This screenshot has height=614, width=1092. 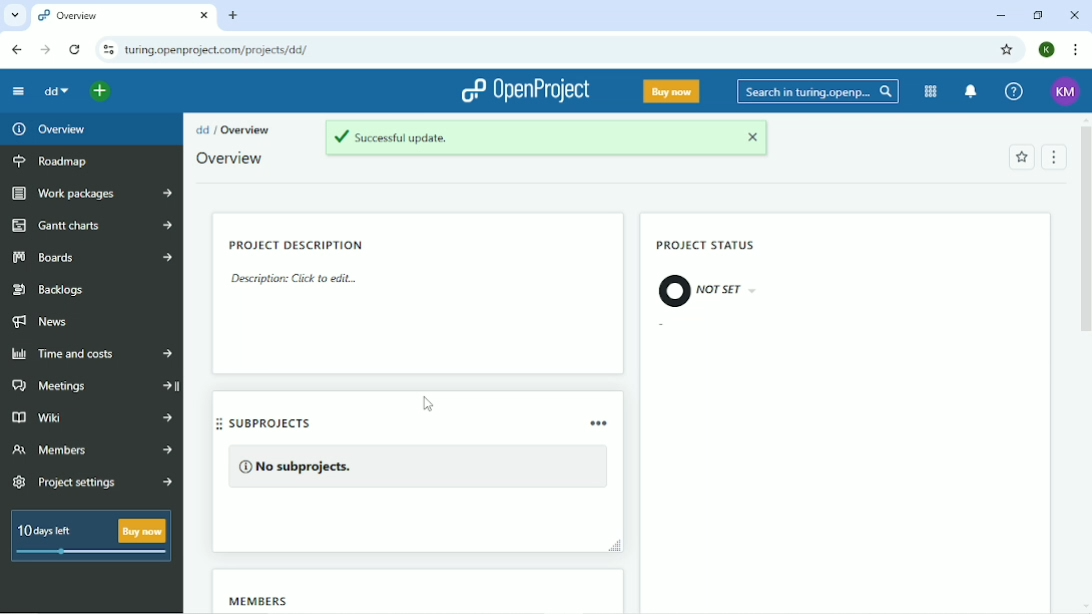 I want to click on Work packages, so click(x=89, y=194).